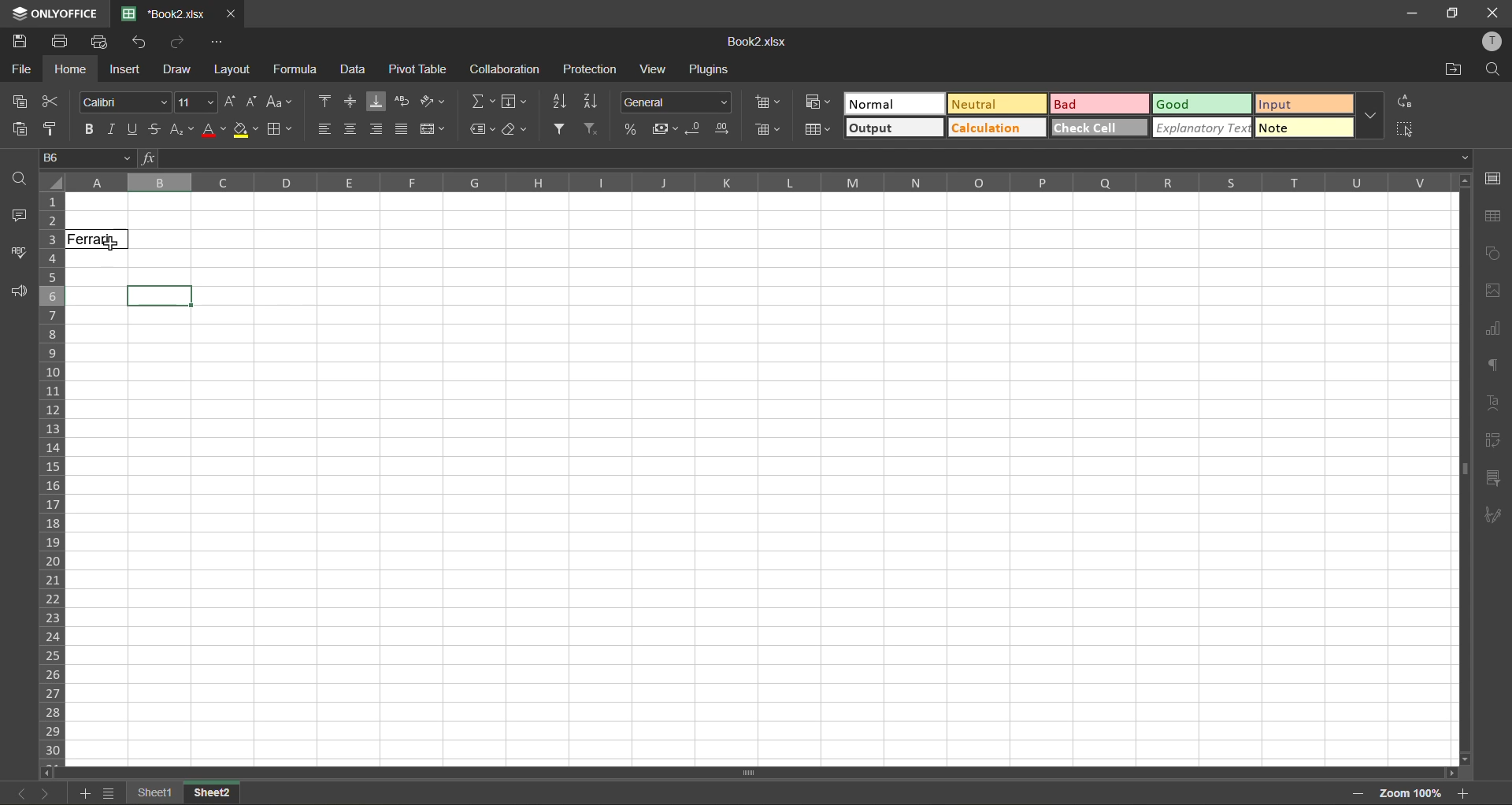  I want to click on underline, so click(135, 130).